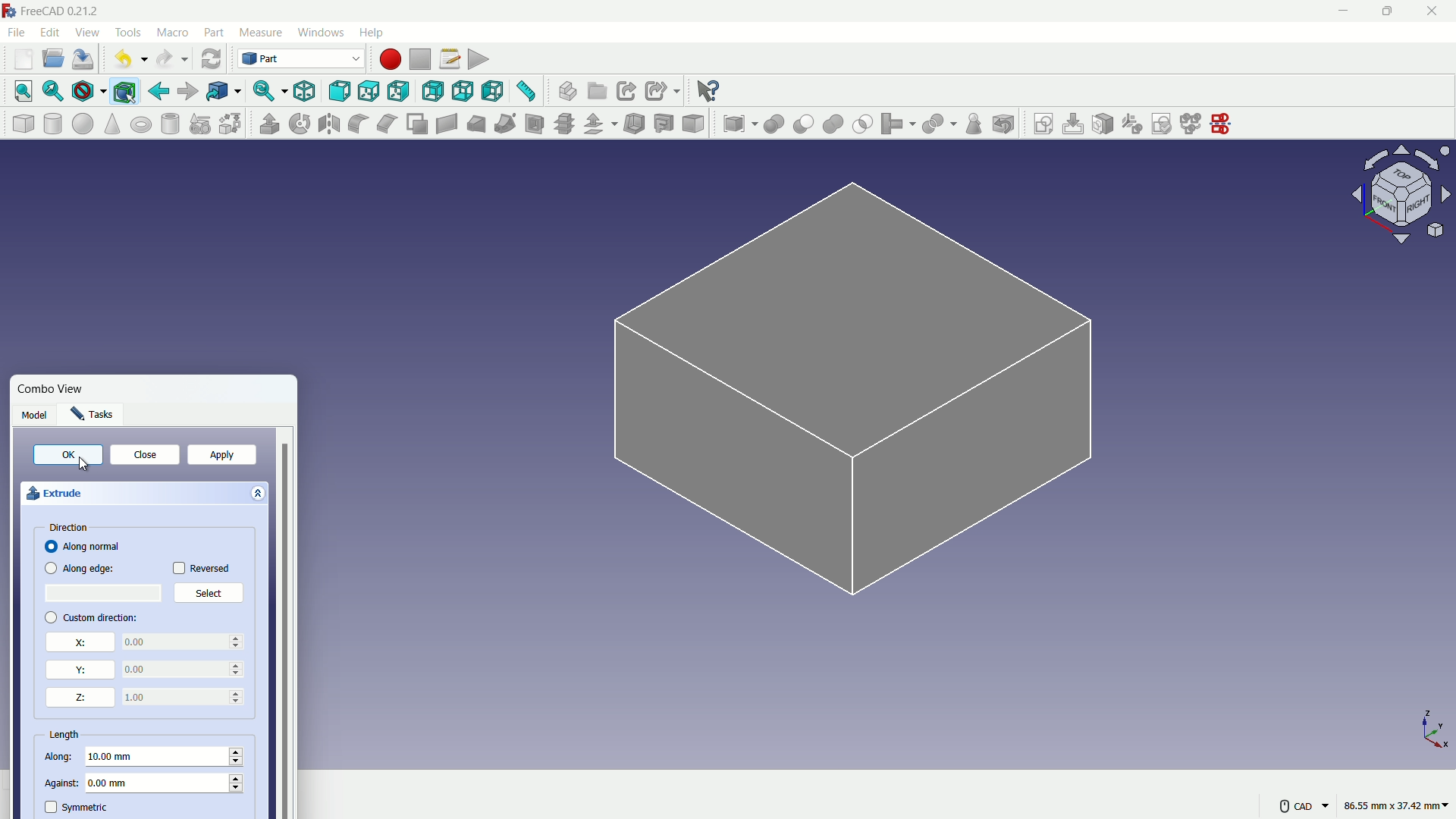 The width and height of the screenshot is (1456, 819). I want to click on save file, so click(83, 60).